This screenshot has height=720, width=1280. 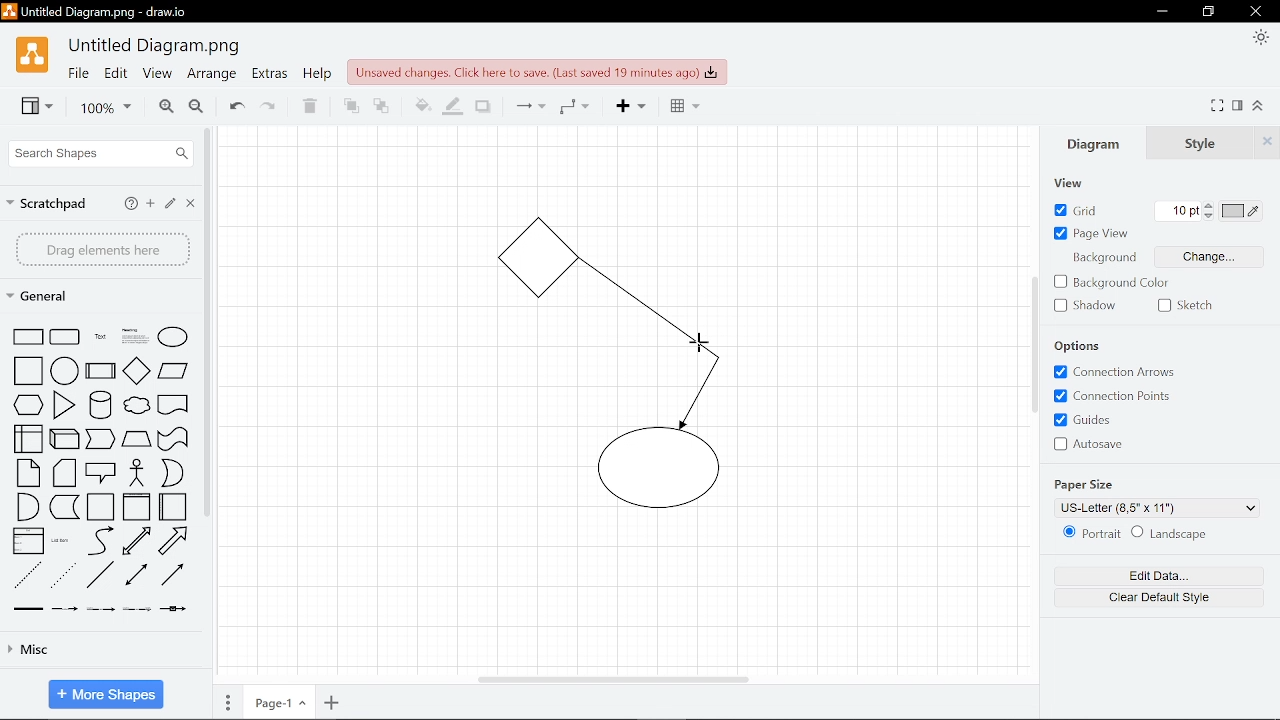 What do you see at coordinates (136, 610) in the screenshot?
I see `shape` at bounding box center [136, 610].